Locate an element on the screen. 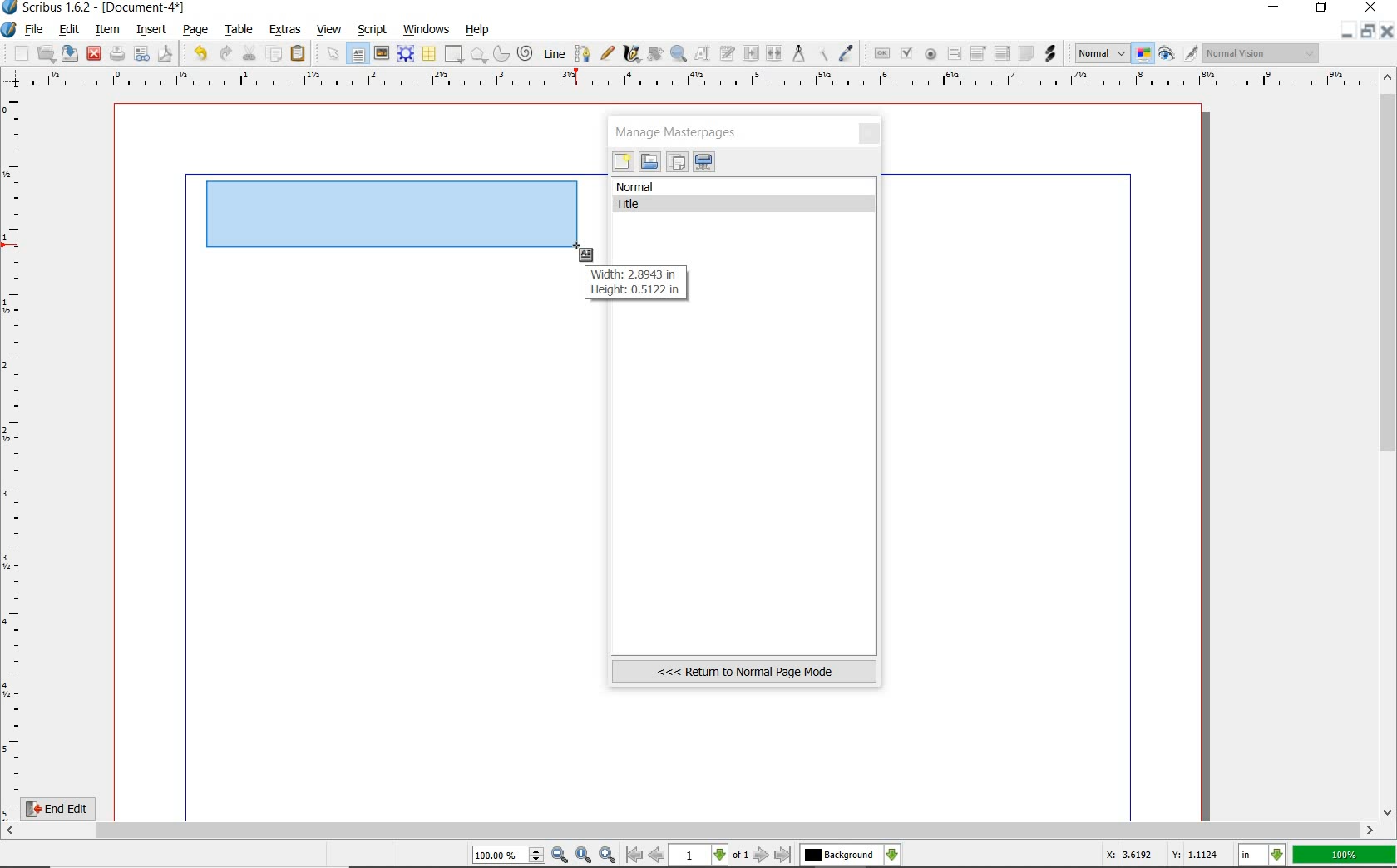 This screenshot has height=868, width=1397. Width: 2.8943 in Height: 0.5122 in is located at coordinates (634, 283).